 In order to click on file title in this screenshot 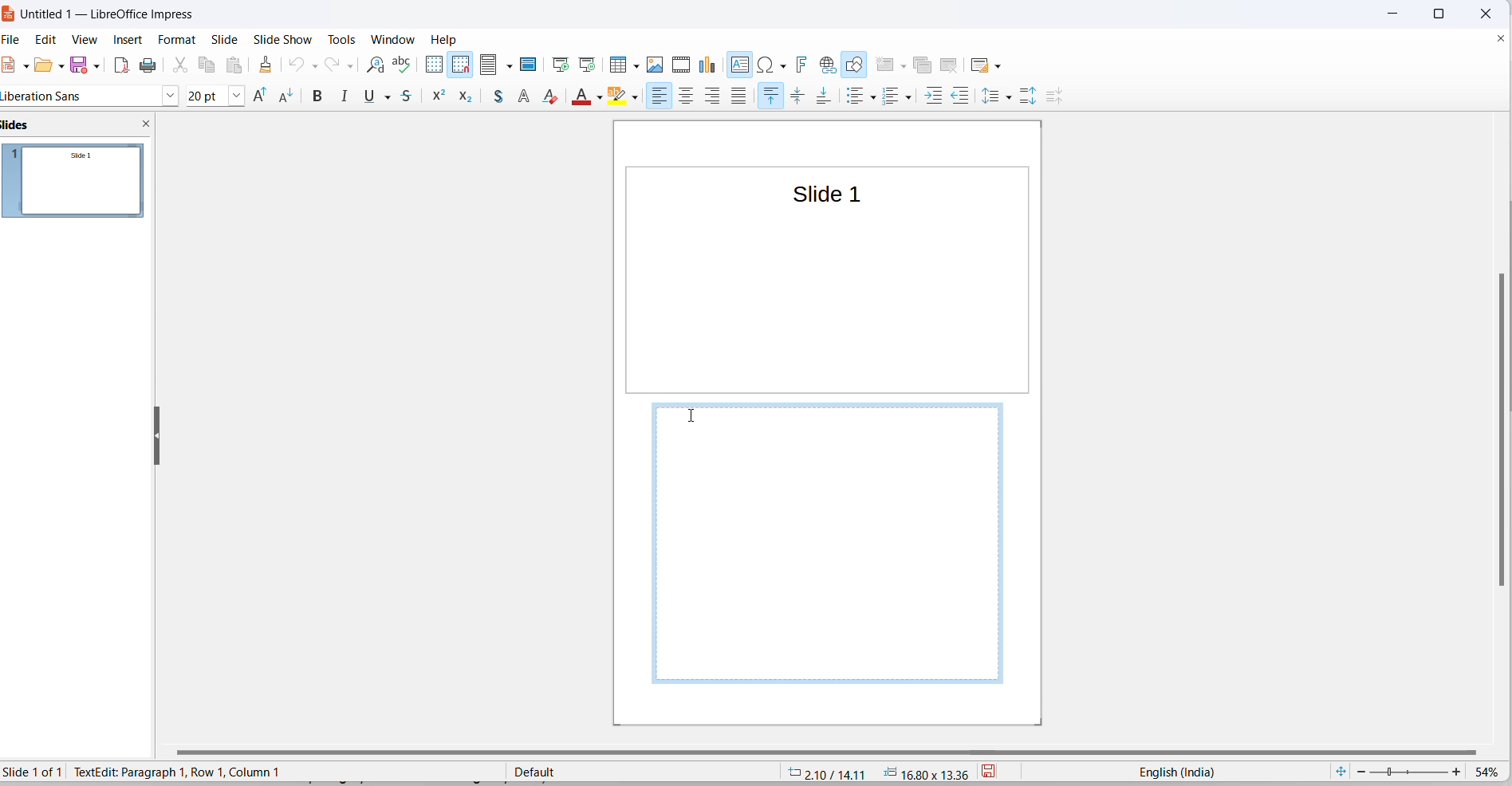, I will do `click(104, 15)`.